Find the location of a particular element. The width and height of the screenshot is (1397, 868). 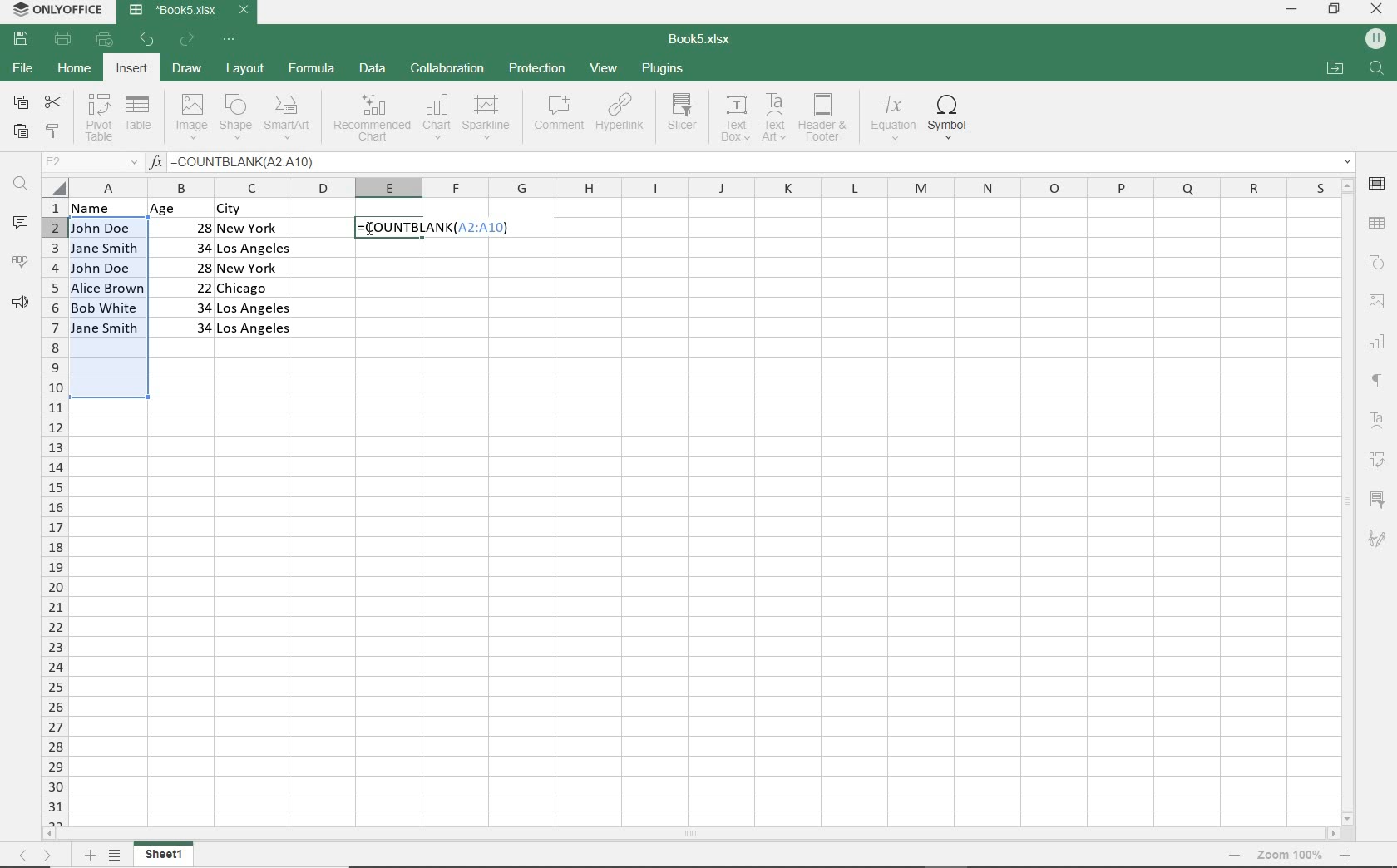

DRAW is located at coordinates (186, 69).